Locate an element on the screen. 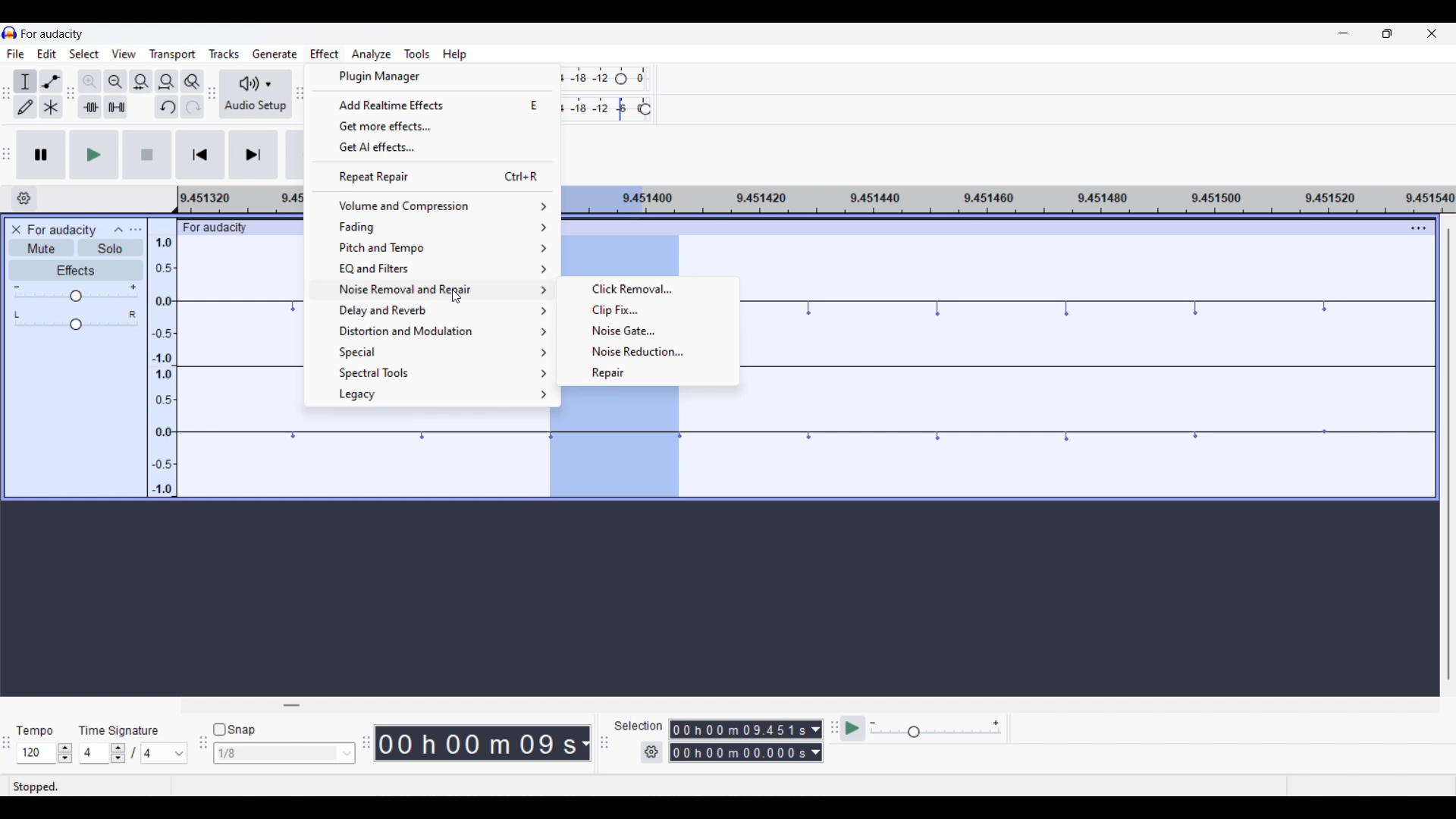 This screenshot has height=819, width=1456. Special options is located at coordinates (433, 352).